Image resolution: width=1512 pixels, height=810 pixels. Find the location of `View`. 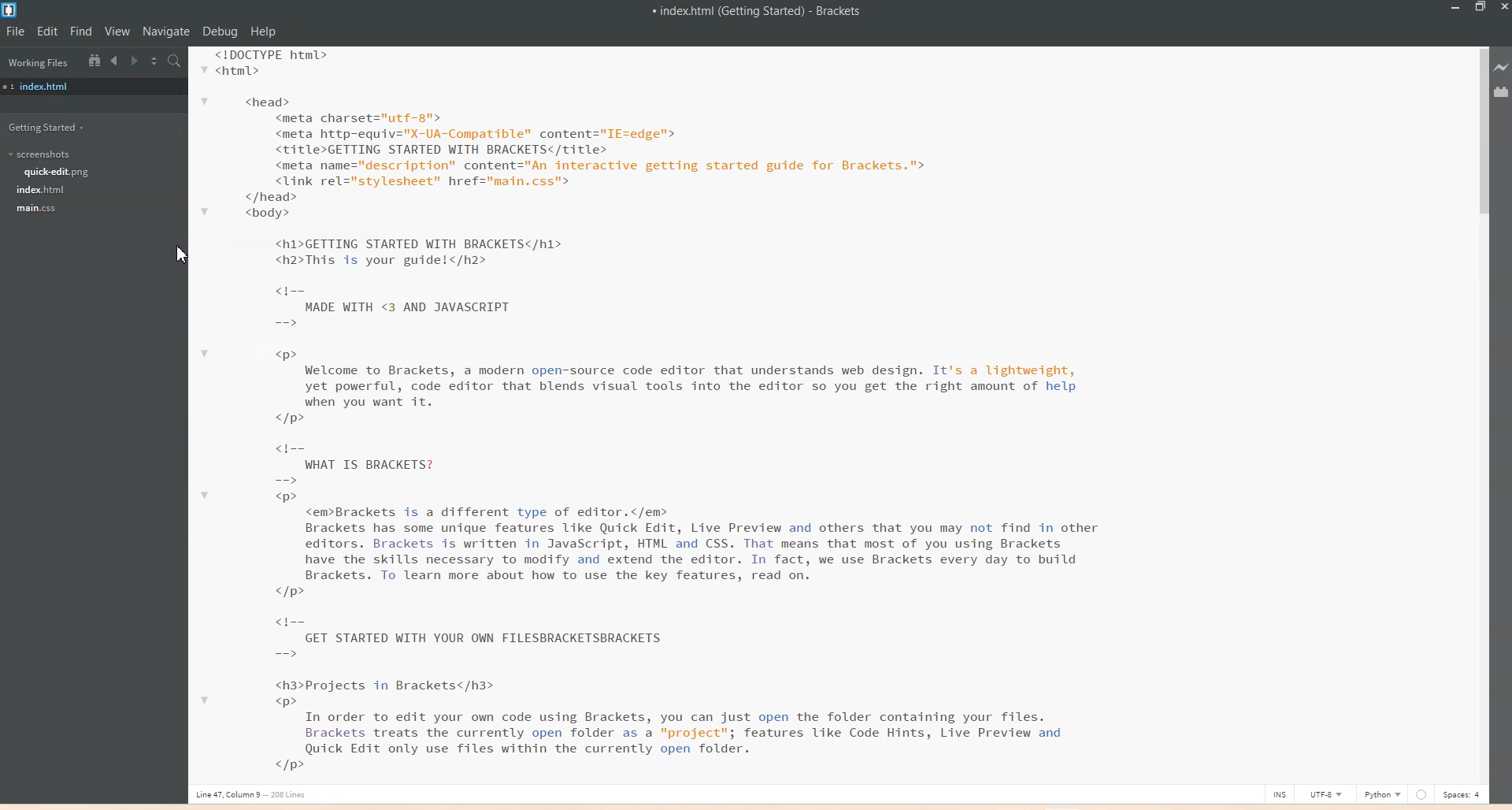

View is located at coordinates (118, 32).